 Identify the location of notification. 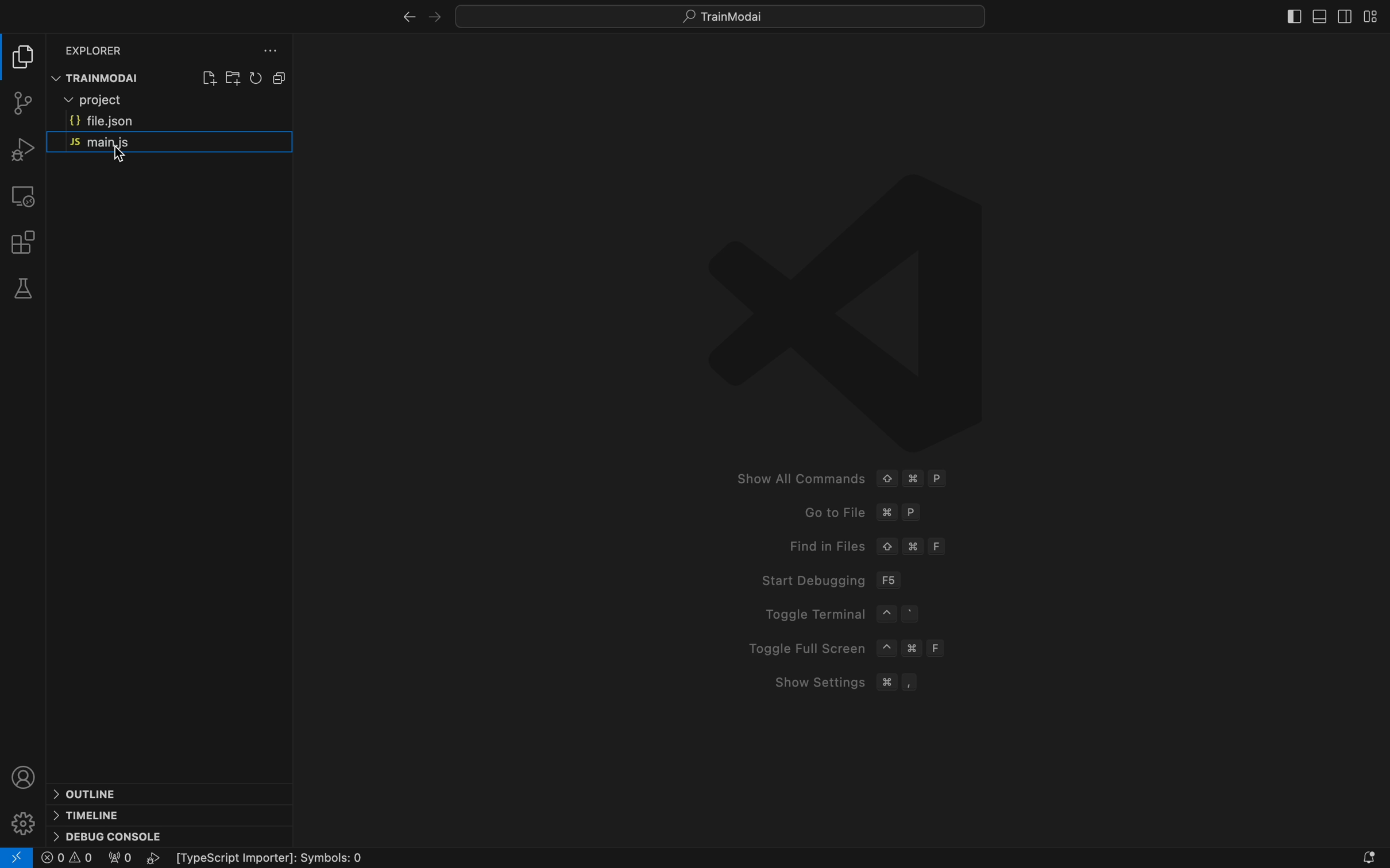
(1362, 855).